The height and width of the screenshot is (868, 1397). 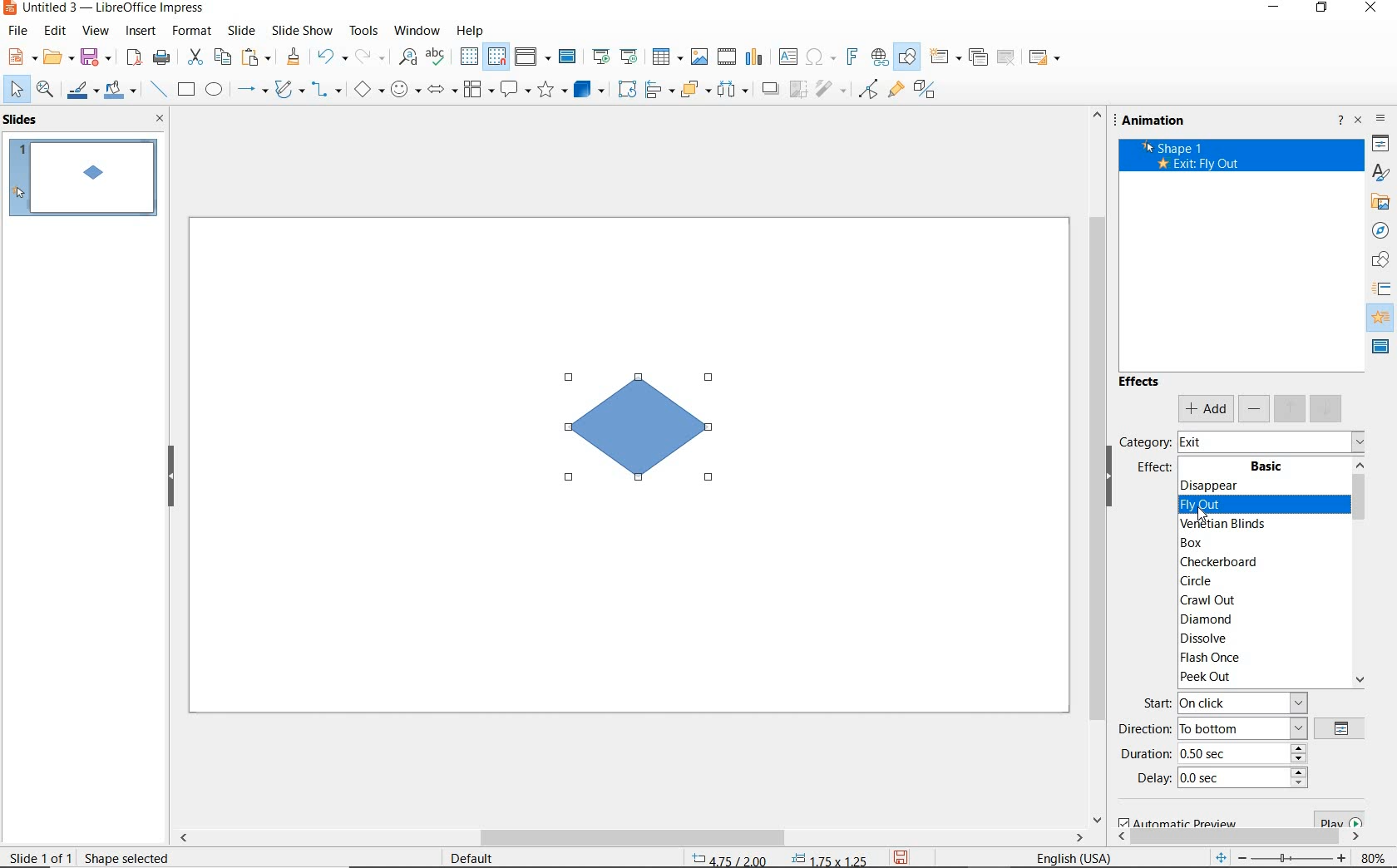 I want to click on venetian blinds, so click(x=1258, y=524).